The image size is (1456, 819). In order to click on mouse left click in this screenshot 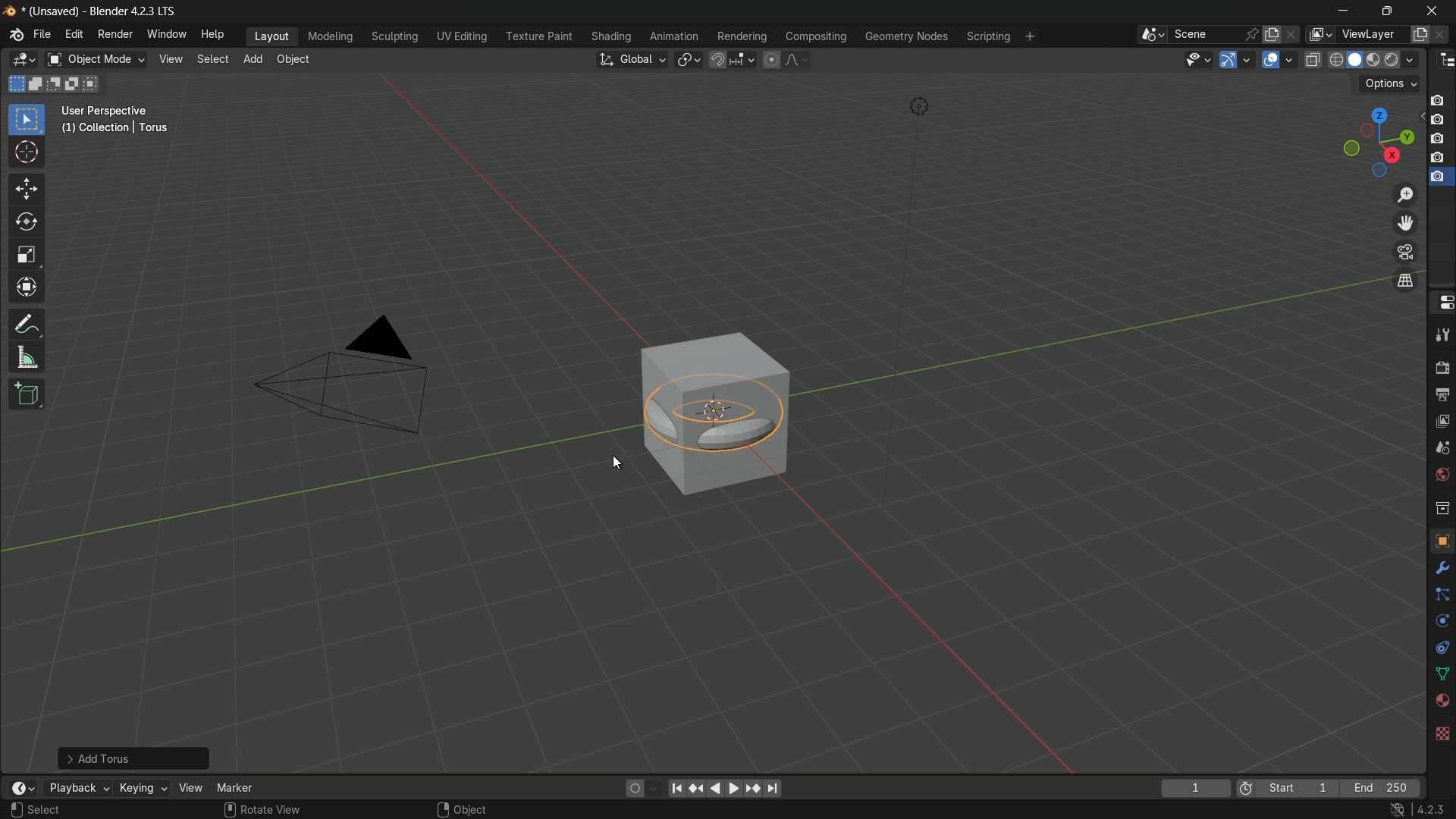, I will do `click(16, 810)`.